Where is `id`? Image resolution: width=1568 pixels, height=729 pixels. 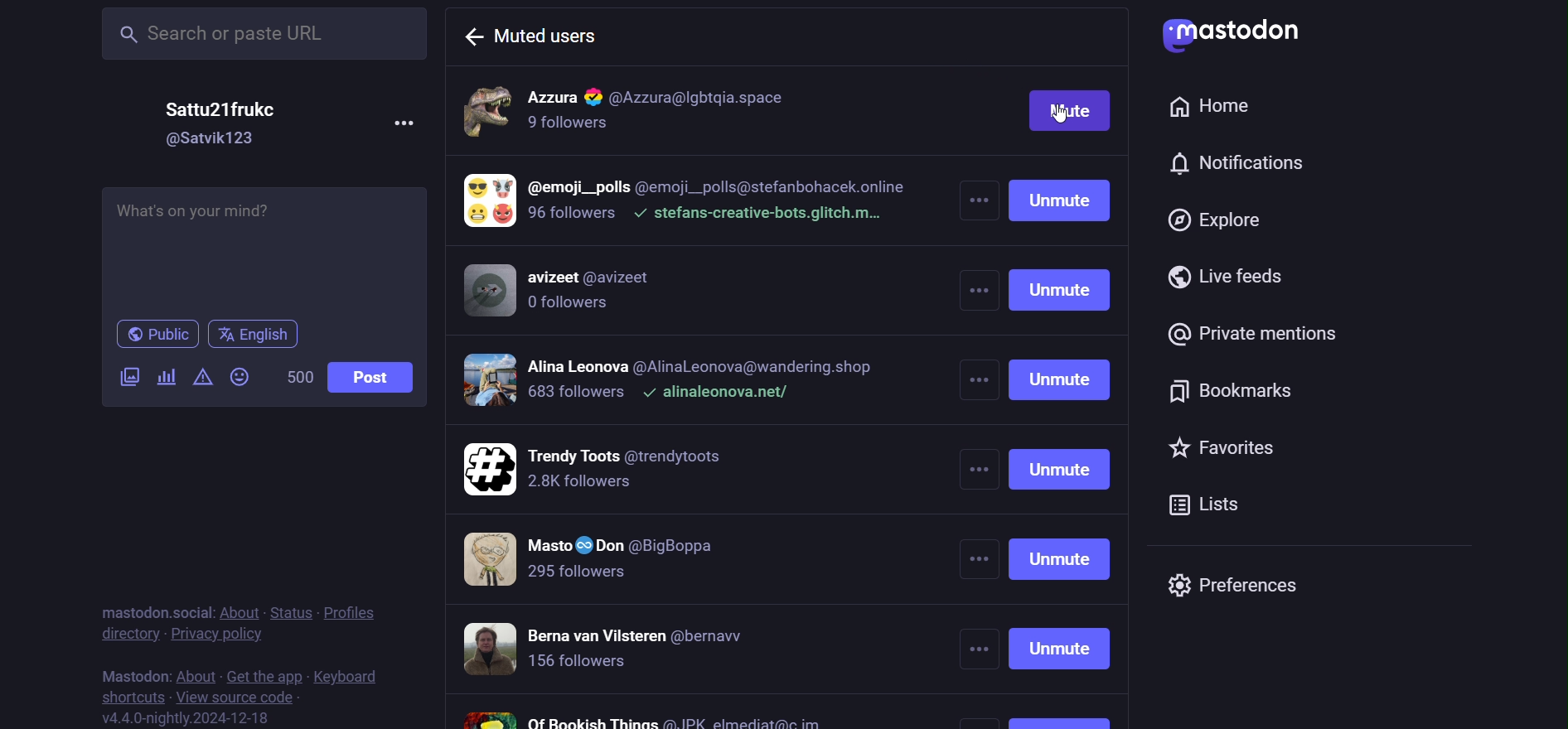 id is located at coordinates (216, 140).